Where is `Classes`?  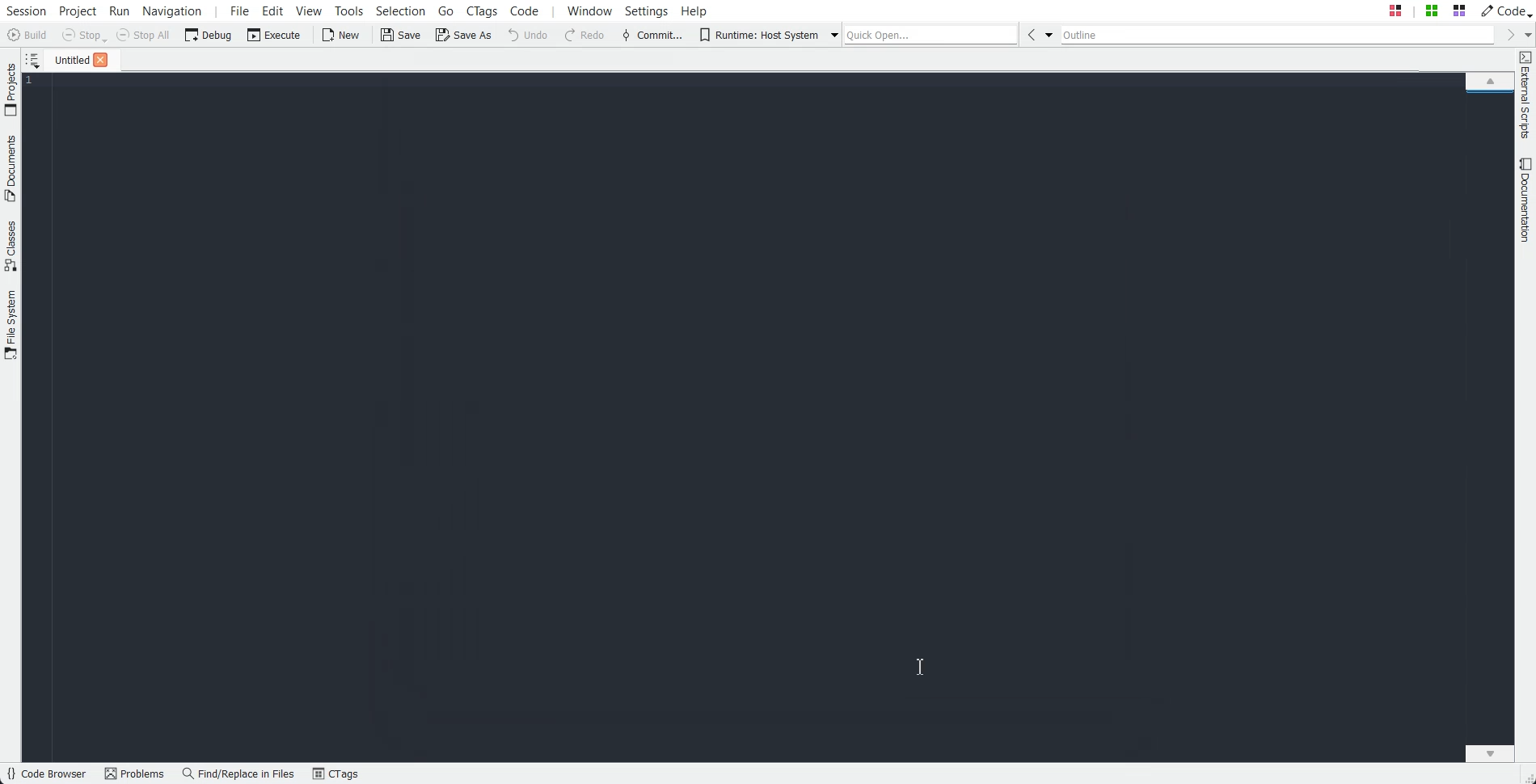
Classes is located at coordinates (11, 246).